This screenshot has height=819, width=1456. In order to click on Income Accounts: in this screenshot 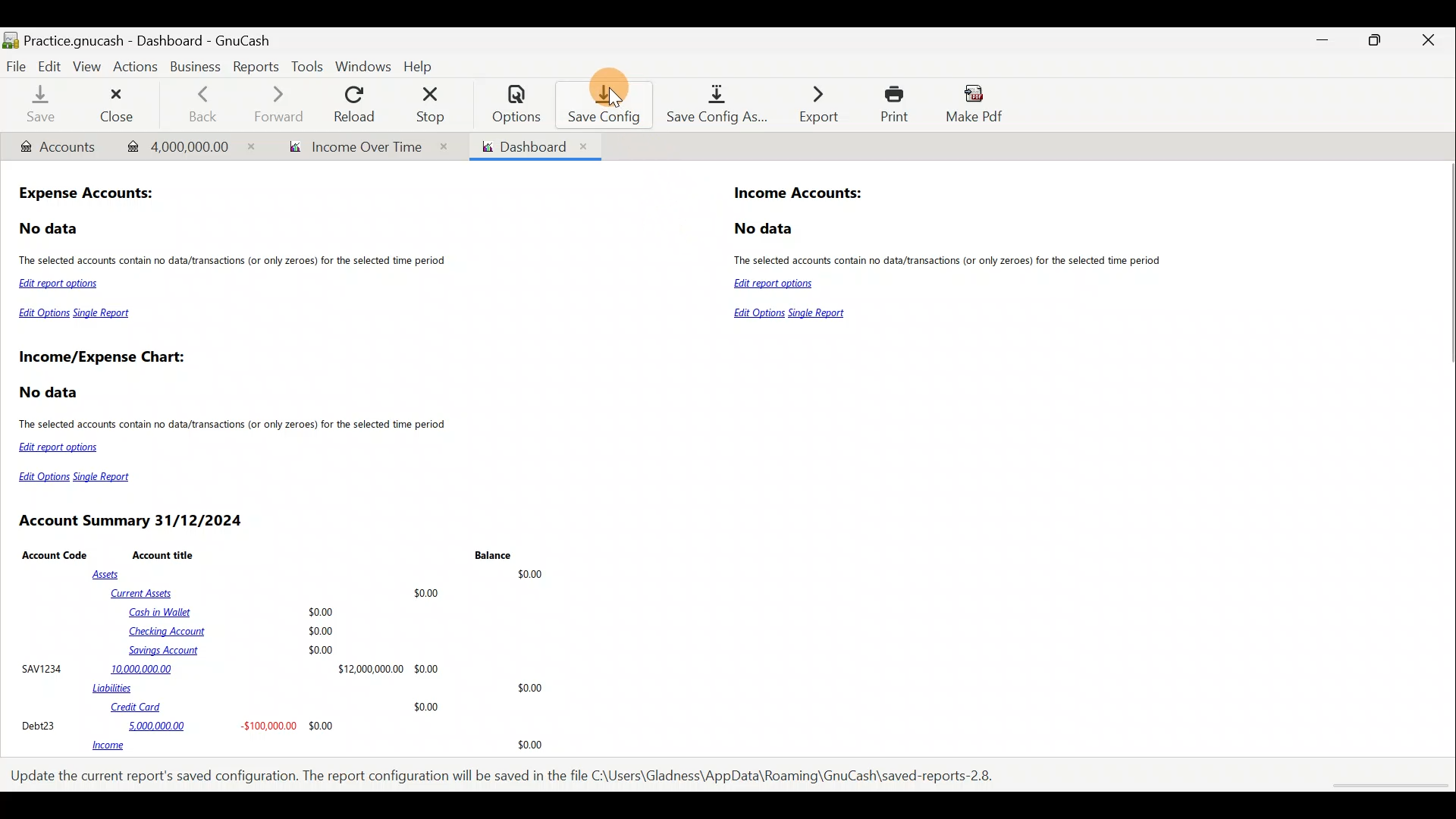, I will do `click(799, 194)`.